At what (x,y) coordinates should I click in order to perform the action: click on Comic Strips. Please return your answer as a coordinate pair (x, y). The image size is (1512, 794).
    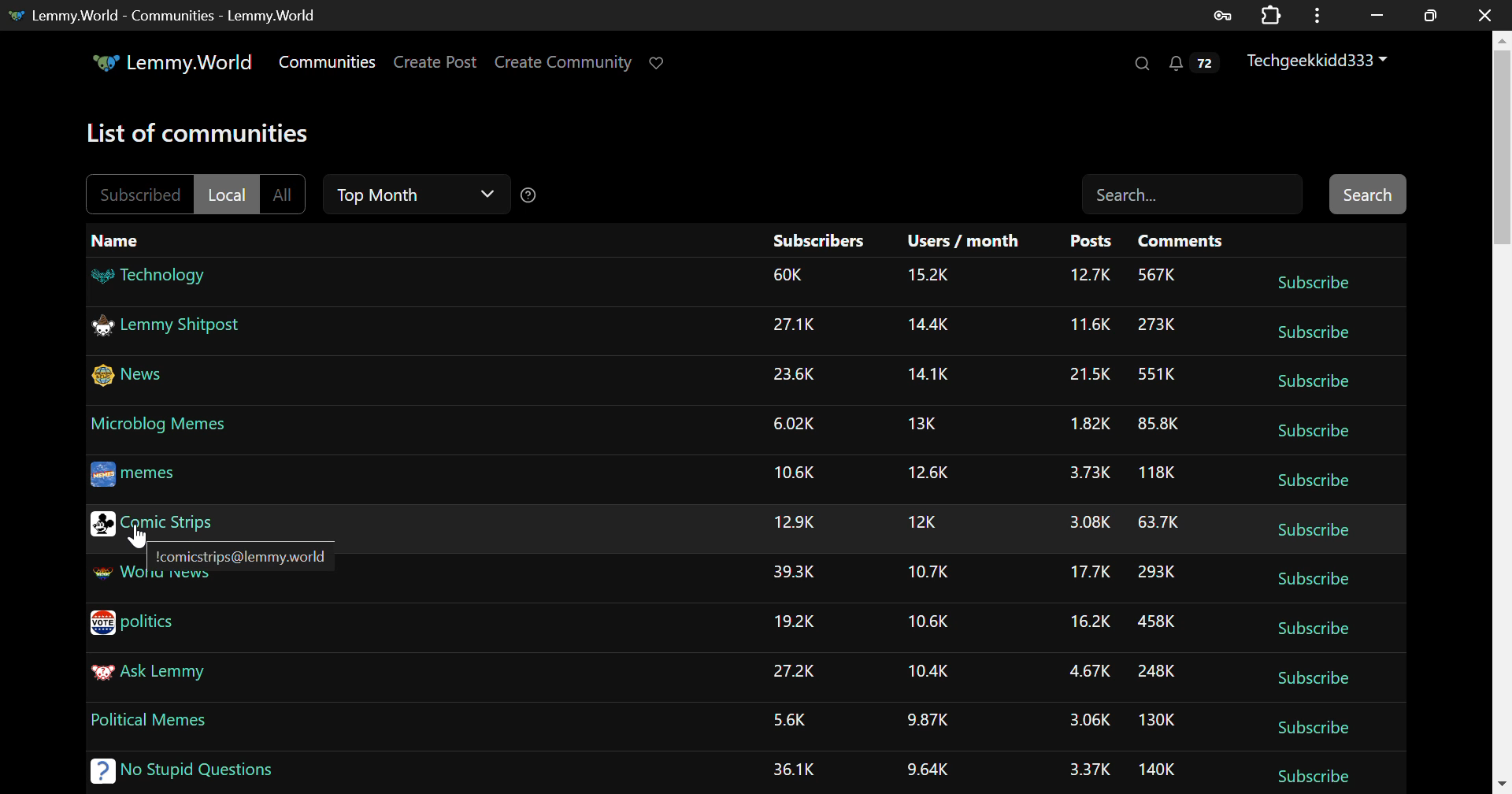
    Looking at the image, I should click on (152, 521).